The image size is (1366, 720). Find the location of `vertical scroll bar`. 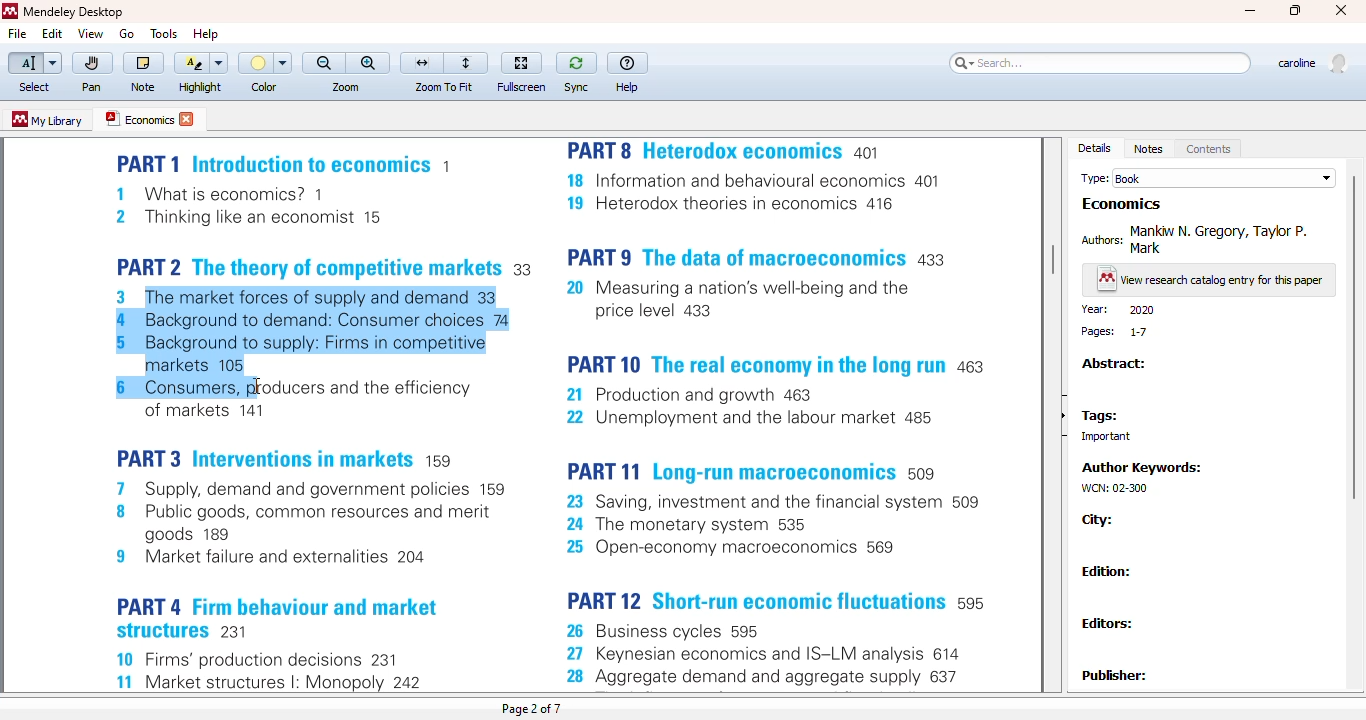

vertical scroll bar is located at coordinates (1053, 261).